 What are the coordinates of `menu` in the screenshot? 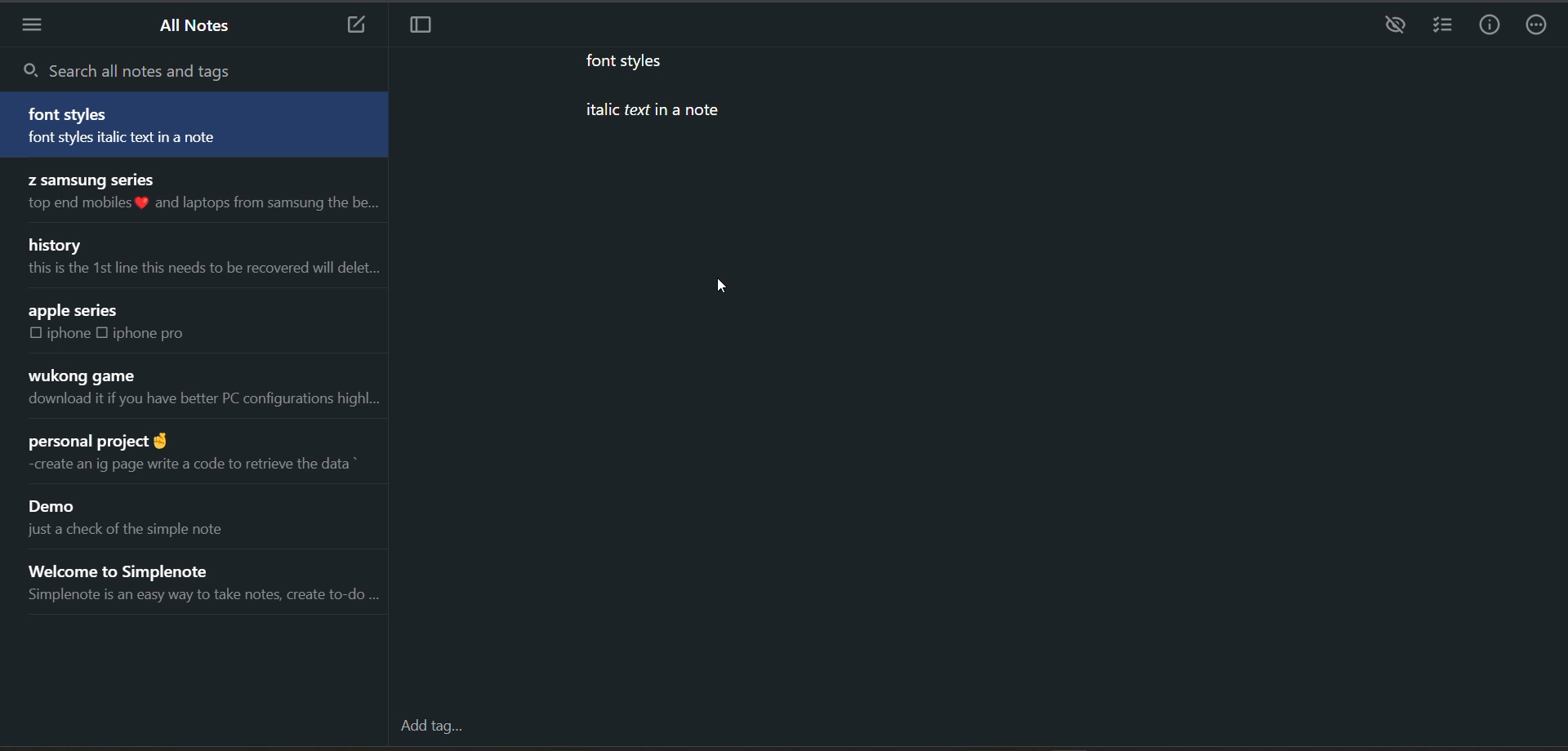 It's located at (37, 26).